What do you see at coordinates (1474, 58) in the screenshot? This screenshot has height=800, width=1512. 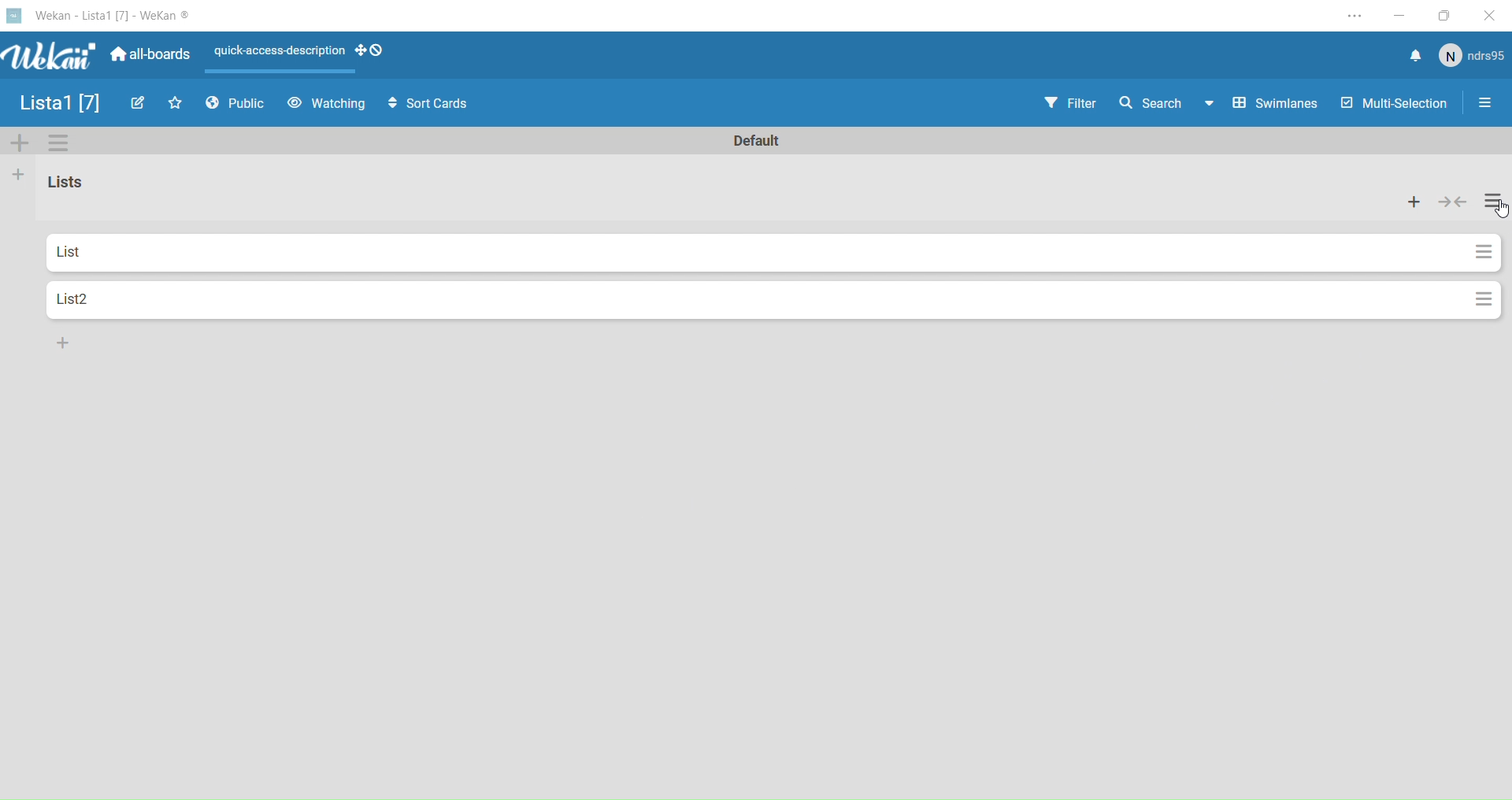 I see `user` at bounding box center [1474, 58].